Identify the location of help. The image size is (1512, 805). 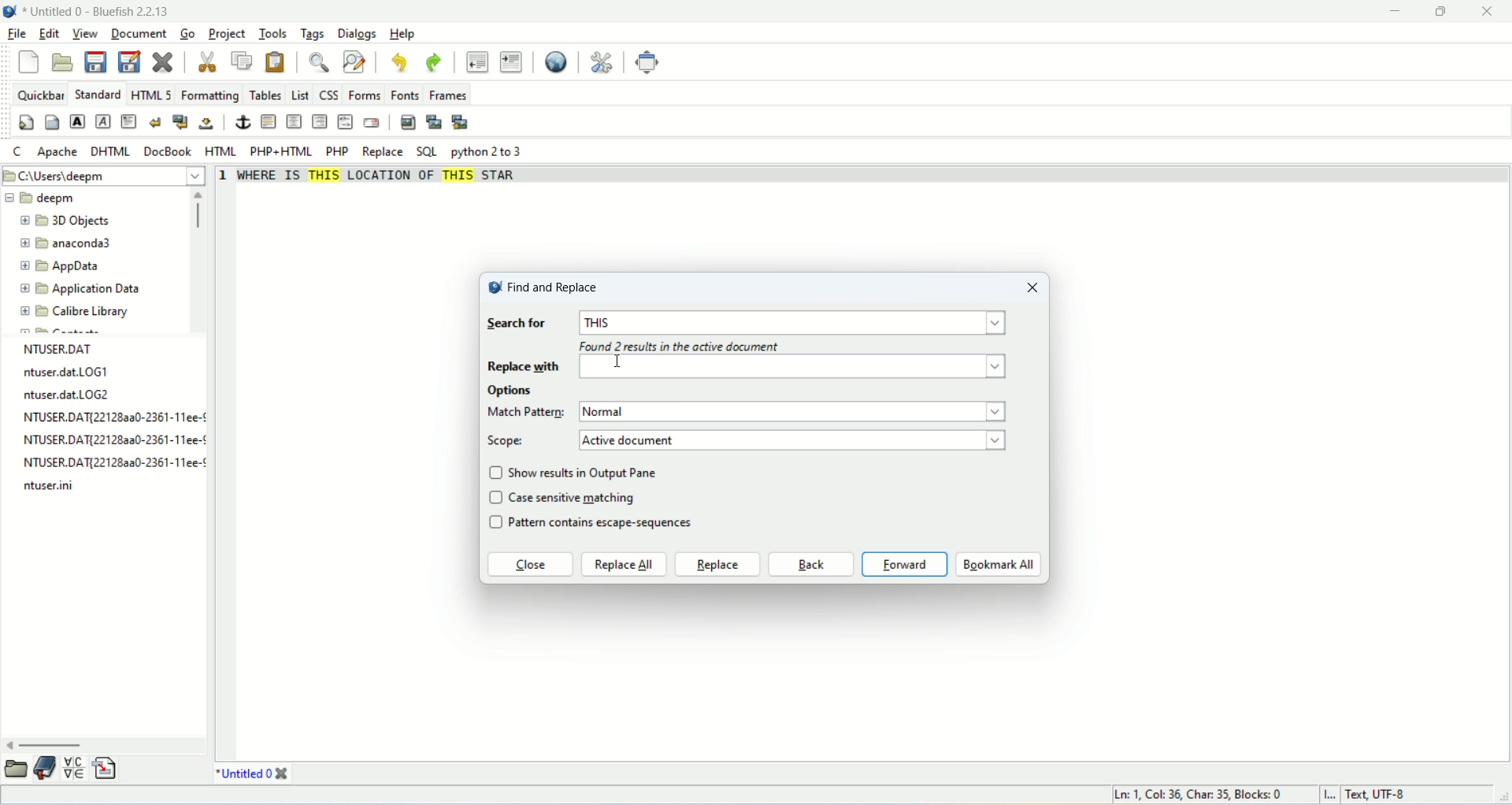
(401, 34).